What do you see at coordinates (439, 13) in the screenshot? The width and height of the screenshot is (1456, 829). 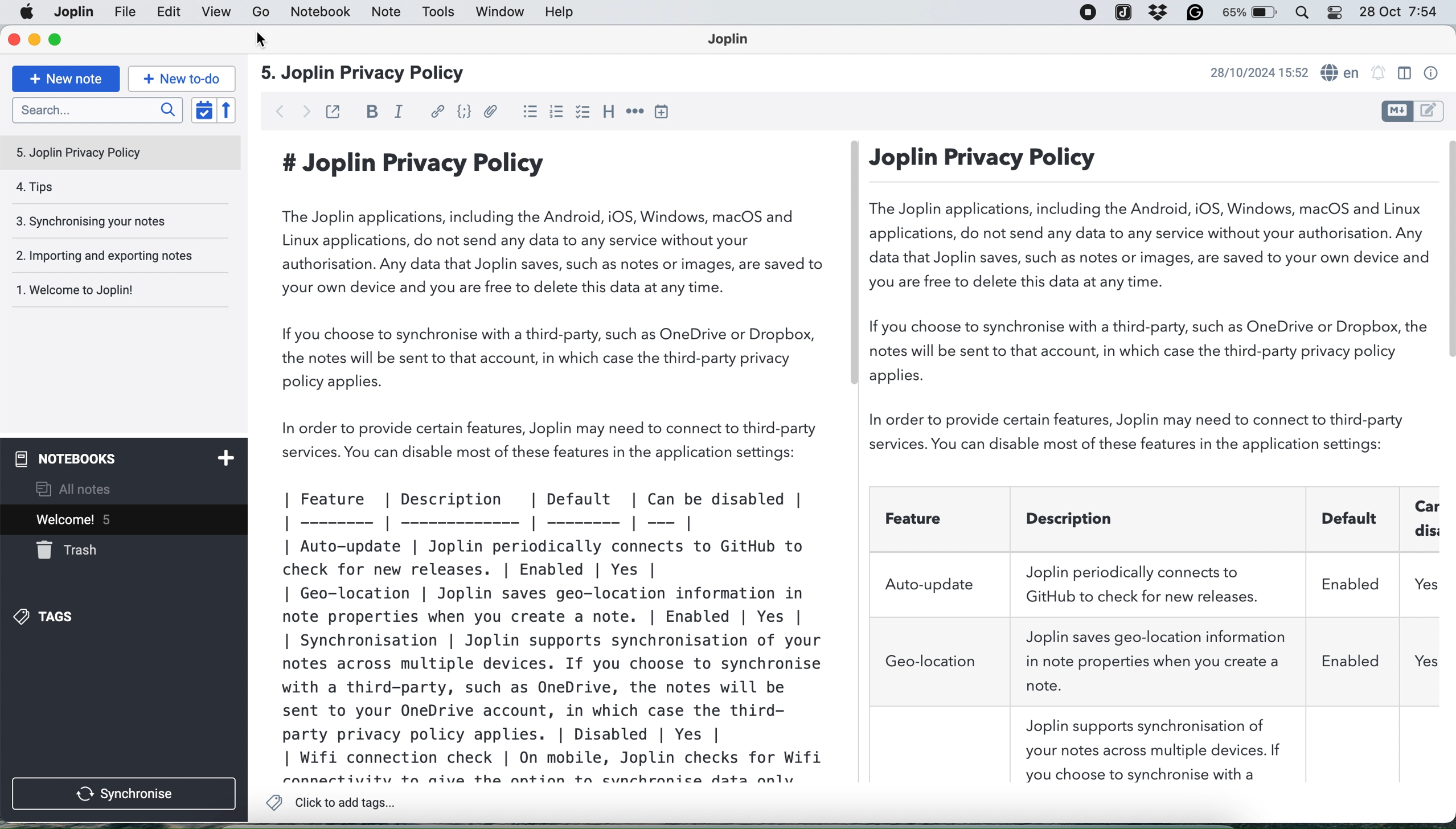 I see `tools` at bounding box center [439, 13].